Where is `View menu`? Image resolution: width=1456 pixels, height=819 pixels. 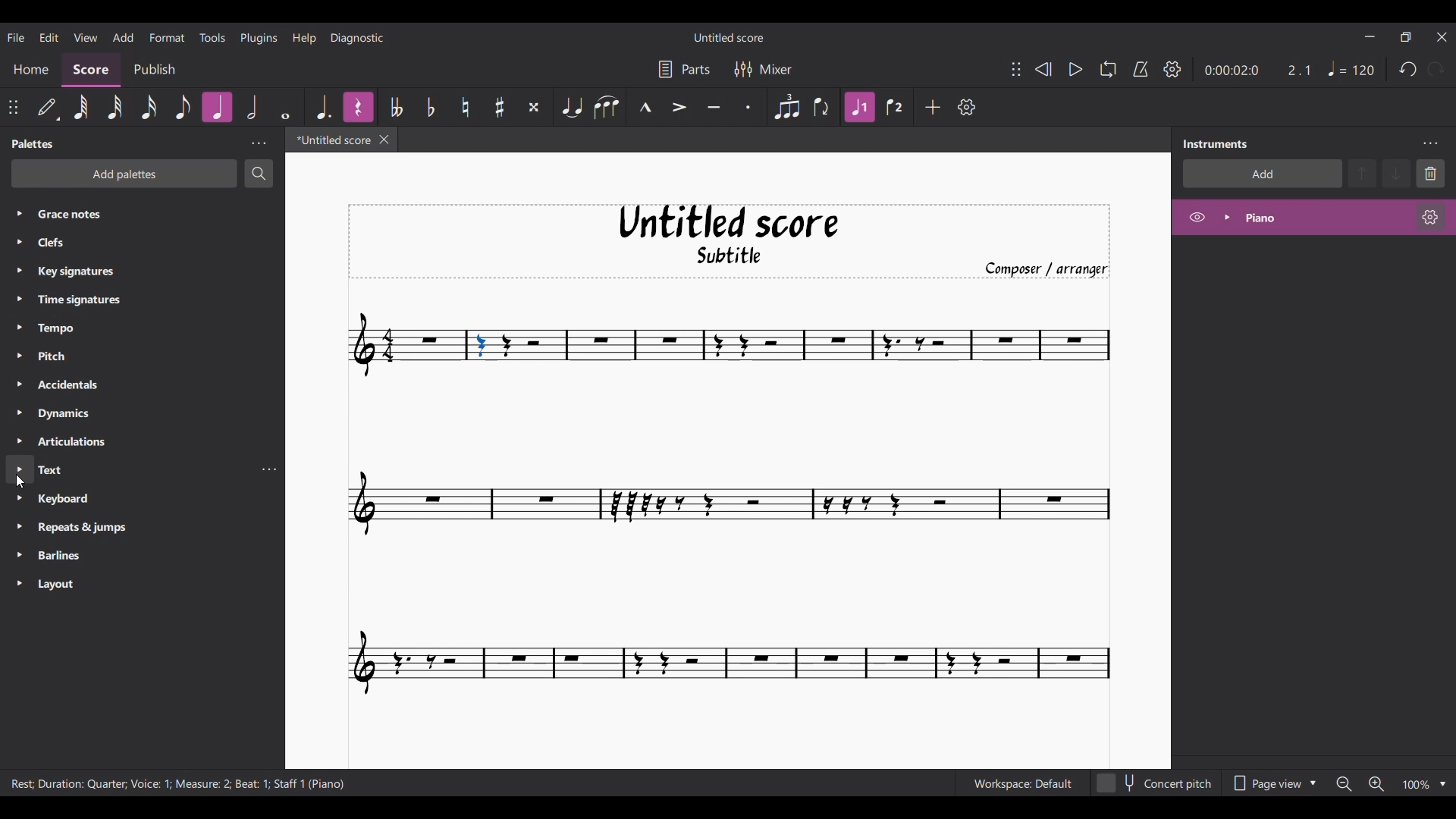
View menu is located at coordinates (86, 38).